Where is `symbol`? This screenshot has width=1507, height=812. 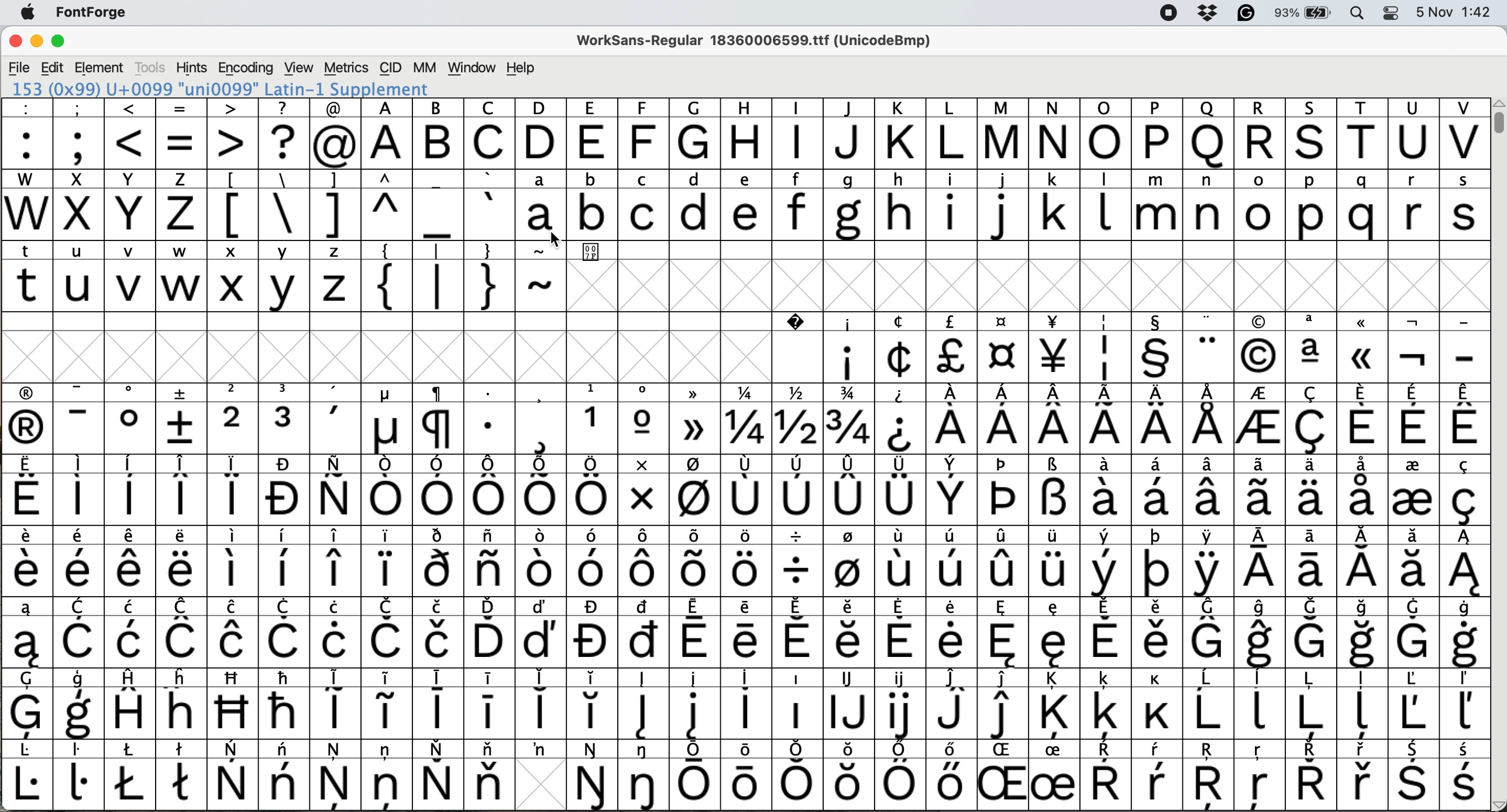
symbol is located at coordinates (902, 419).